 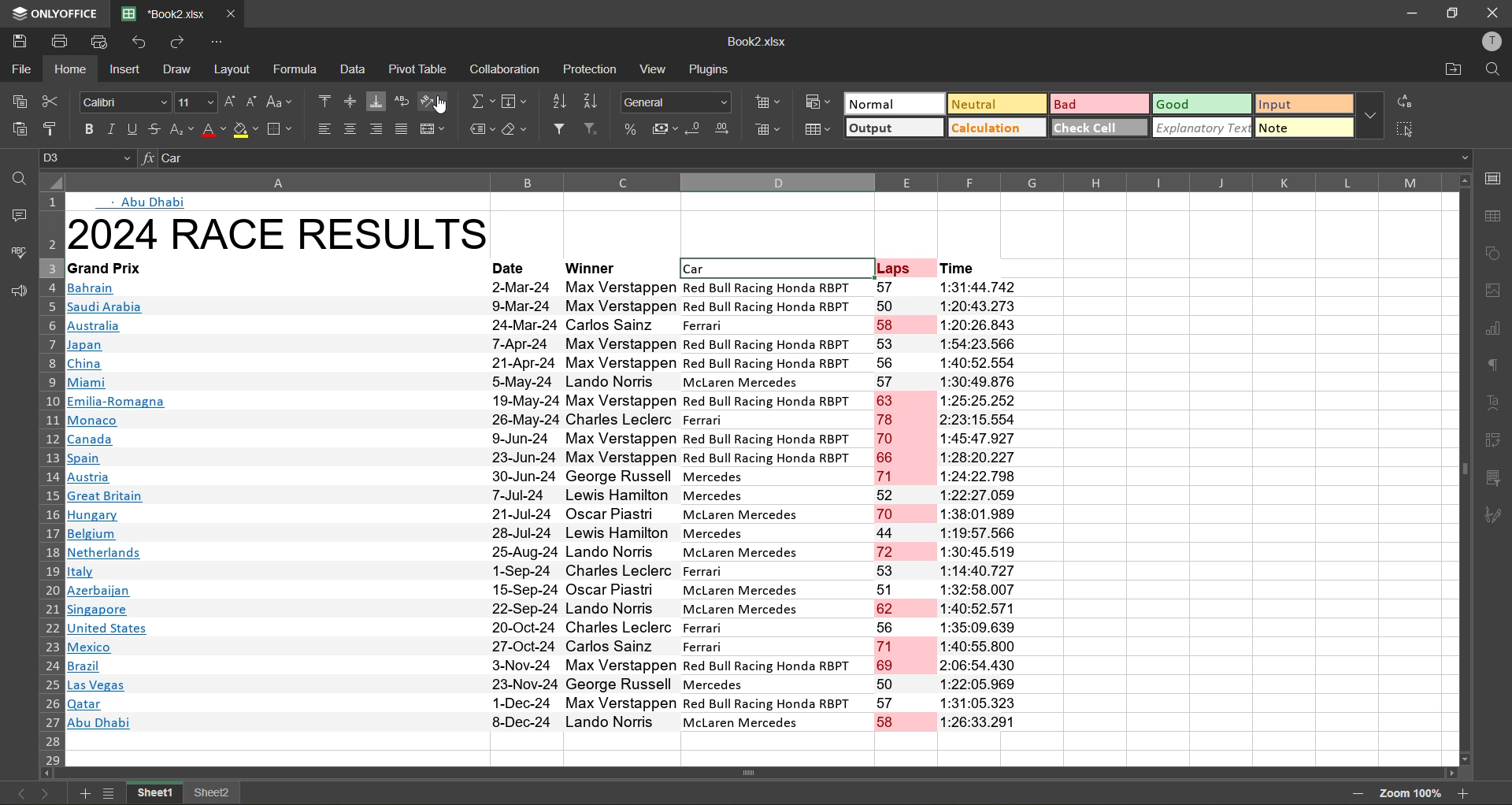 I want to click on justified, so click(x=398, y=130).